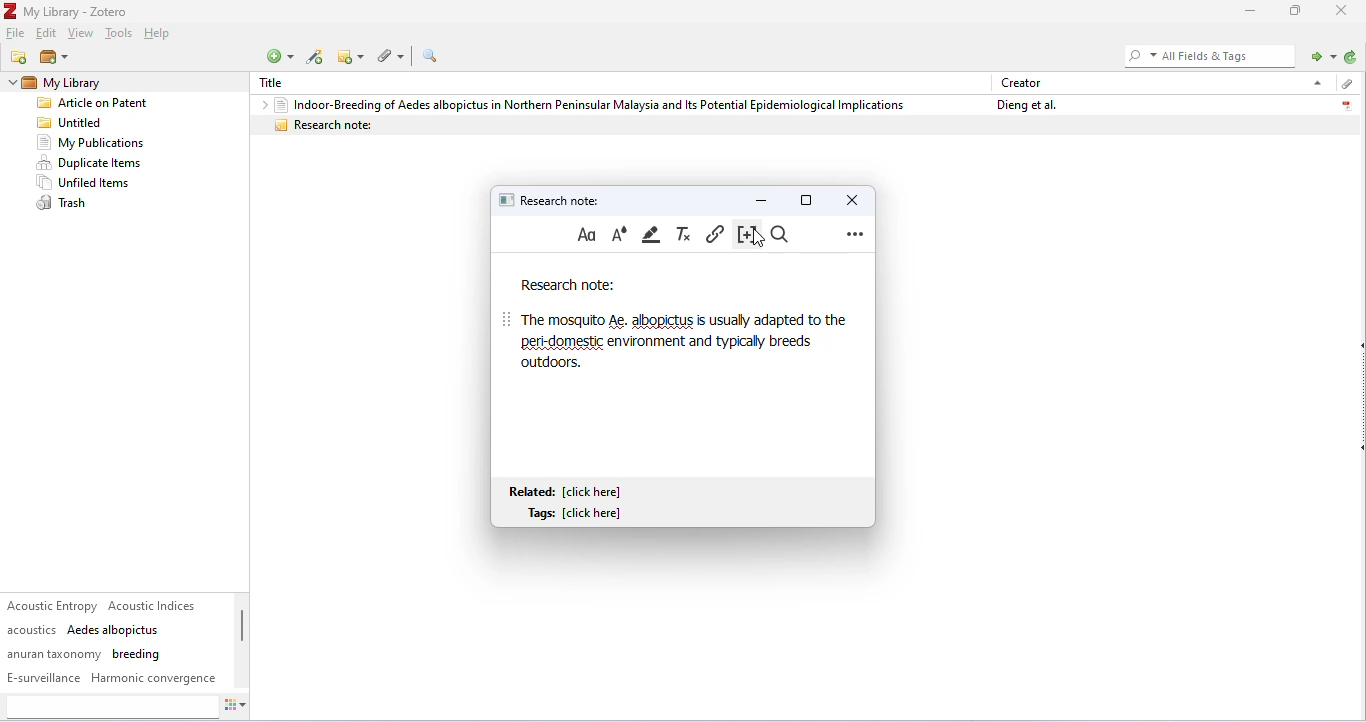 The image size is (1366, 722). What do you see at coordinates (118, 35) in the screenshot?
I see `tools` at bounding box center [118, 35].